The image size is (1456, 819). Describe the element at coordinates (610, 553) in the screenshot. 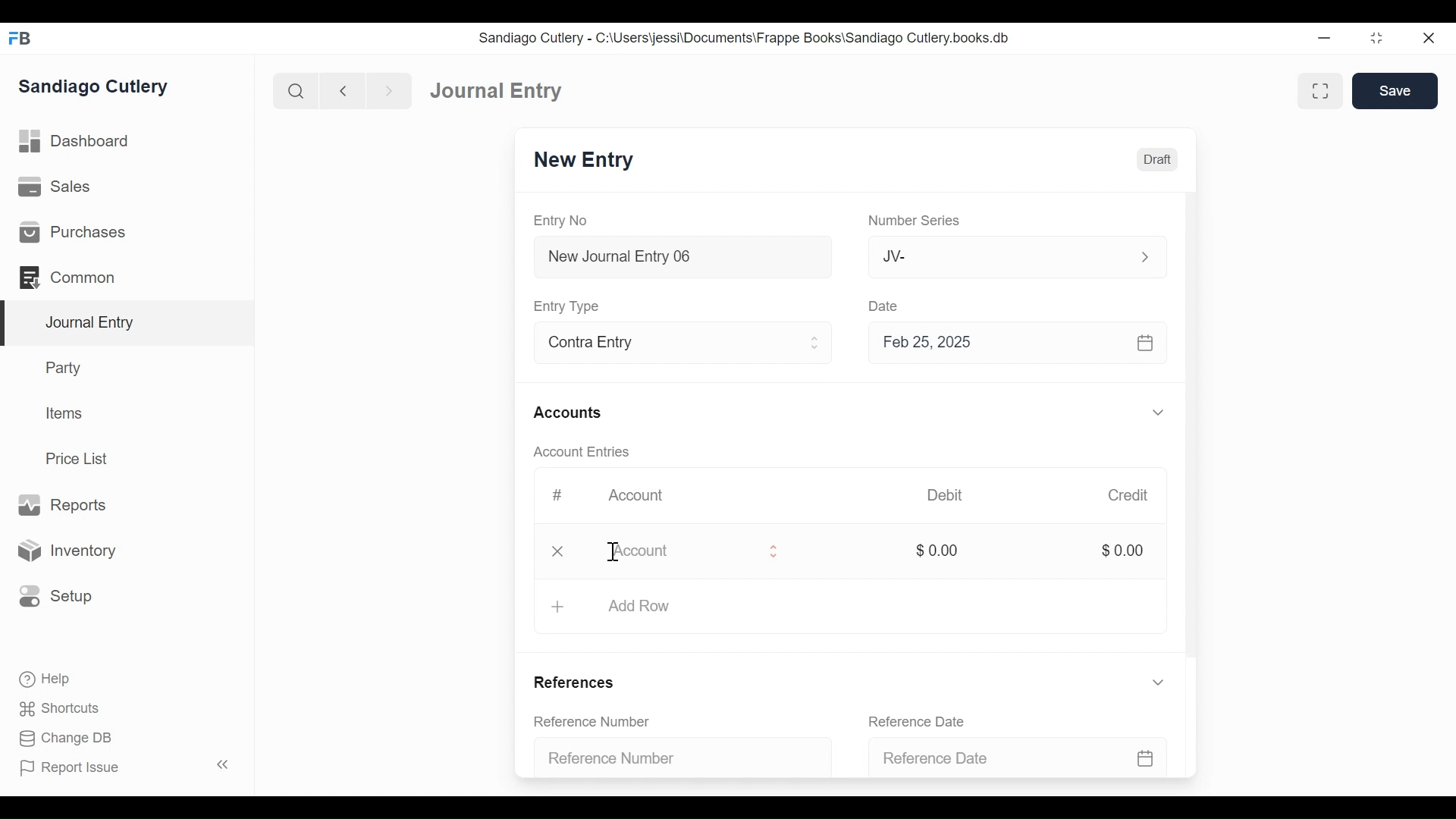

I see `text Cursor` at that location.